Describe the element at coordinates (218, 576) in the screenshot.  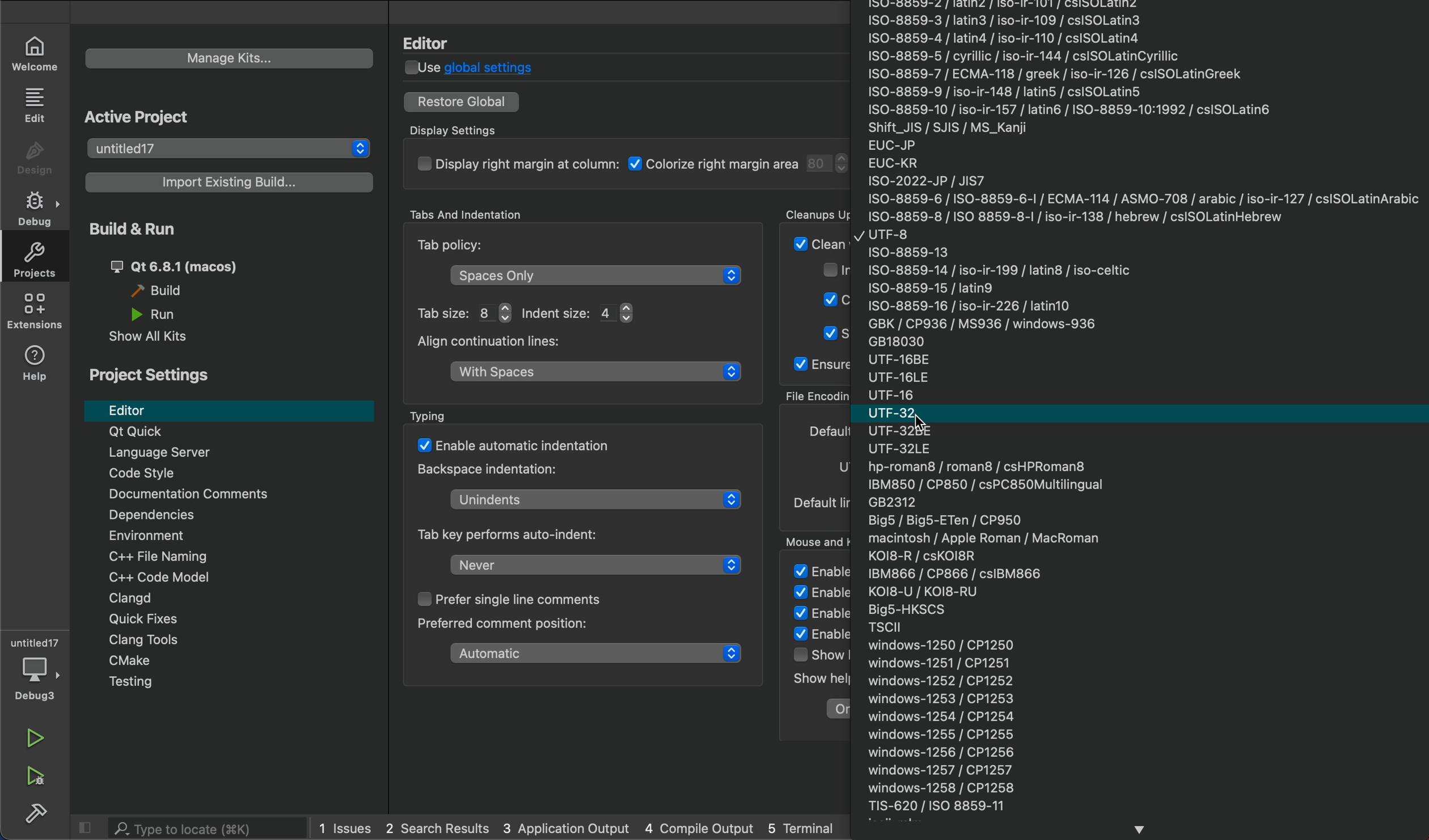
I see `code modal` at that location.